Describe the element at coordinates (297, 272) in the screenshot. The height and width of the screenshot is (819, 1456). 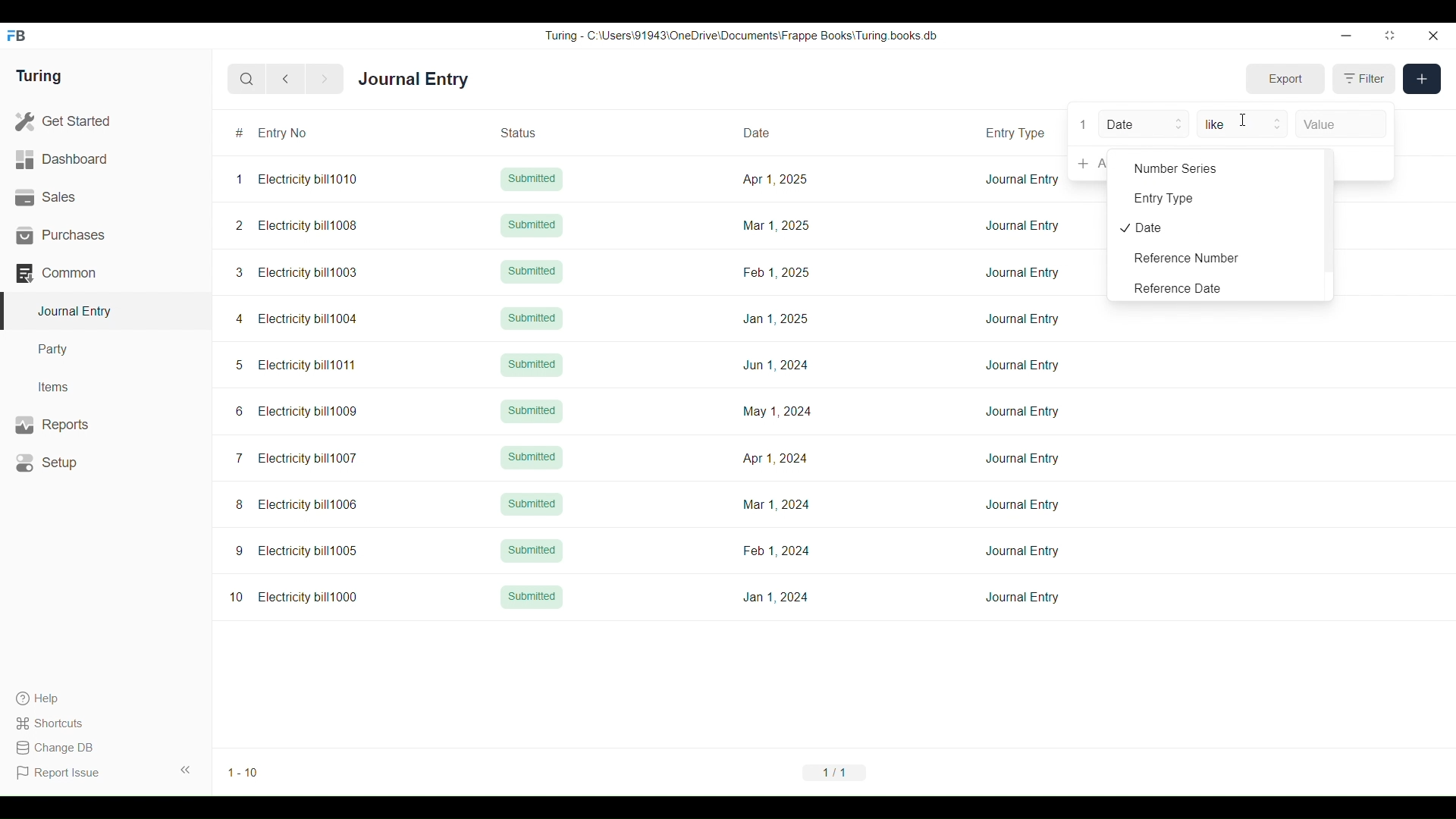
I see `3 Electricity bill1003` at that location.